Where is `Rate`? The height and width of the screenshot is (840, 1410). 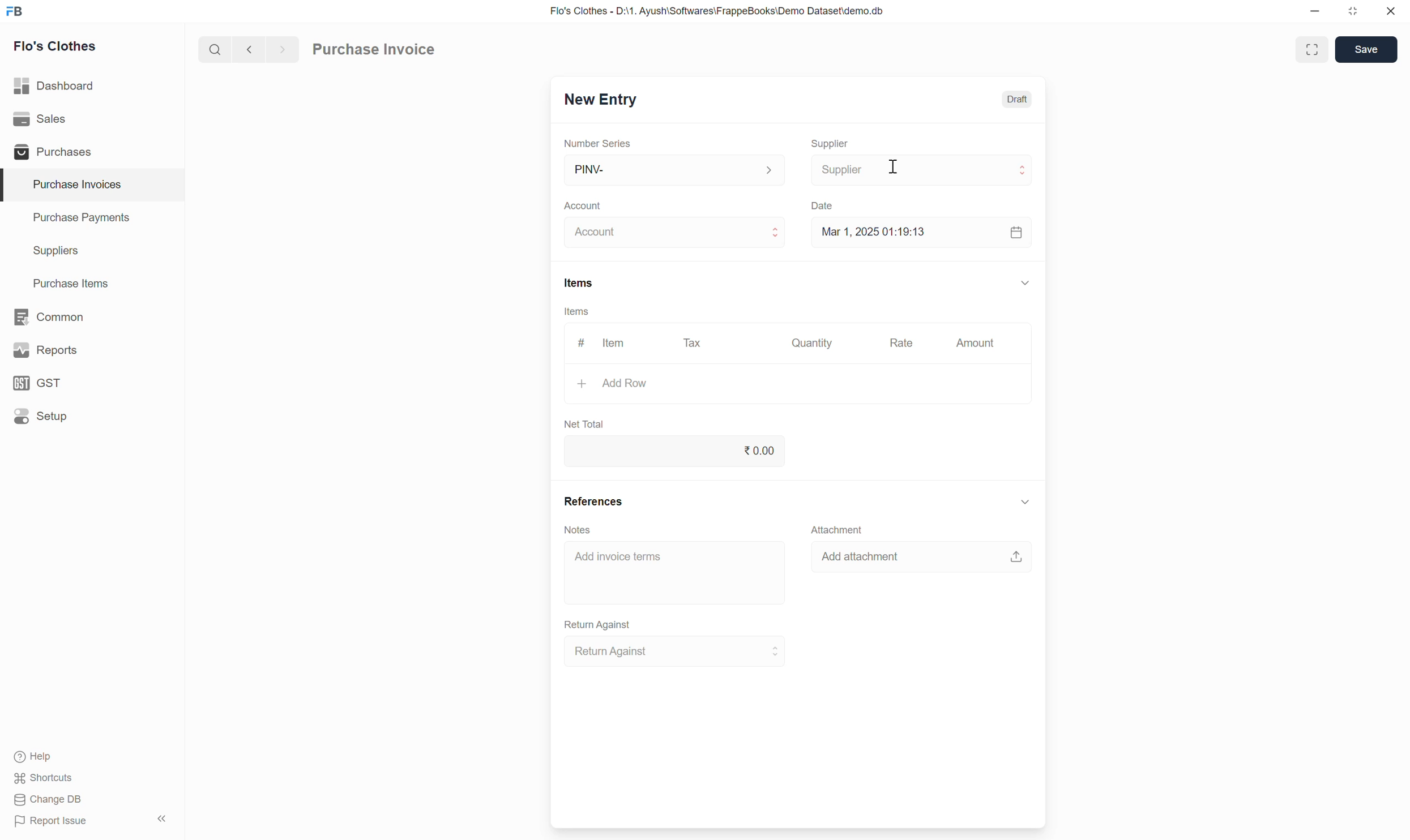 Rate is located at coordinates (903, 342).